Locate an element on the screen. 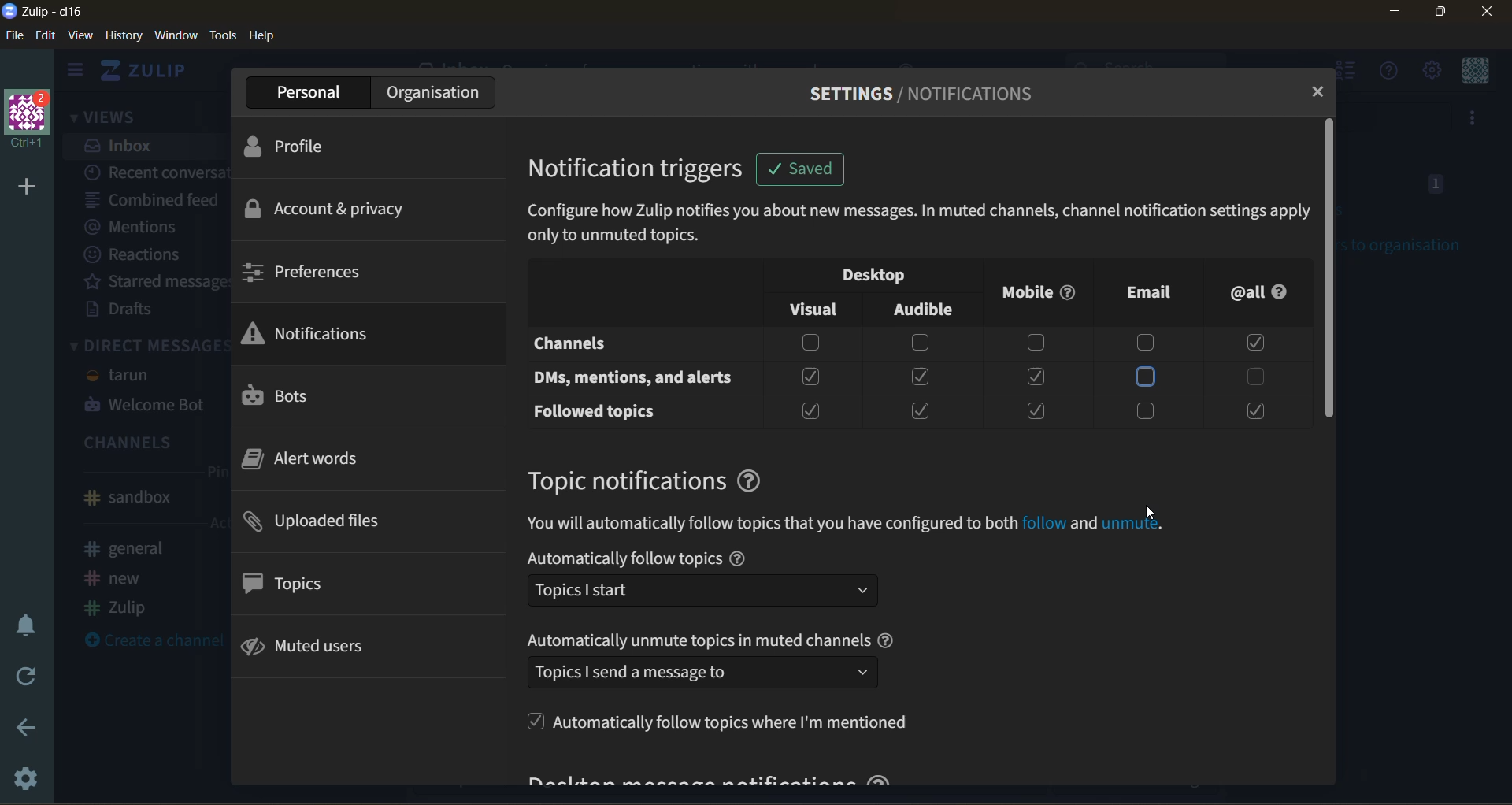 This screenshot has height=805, width=1512. minimize is located at coordinates (1389, 14).